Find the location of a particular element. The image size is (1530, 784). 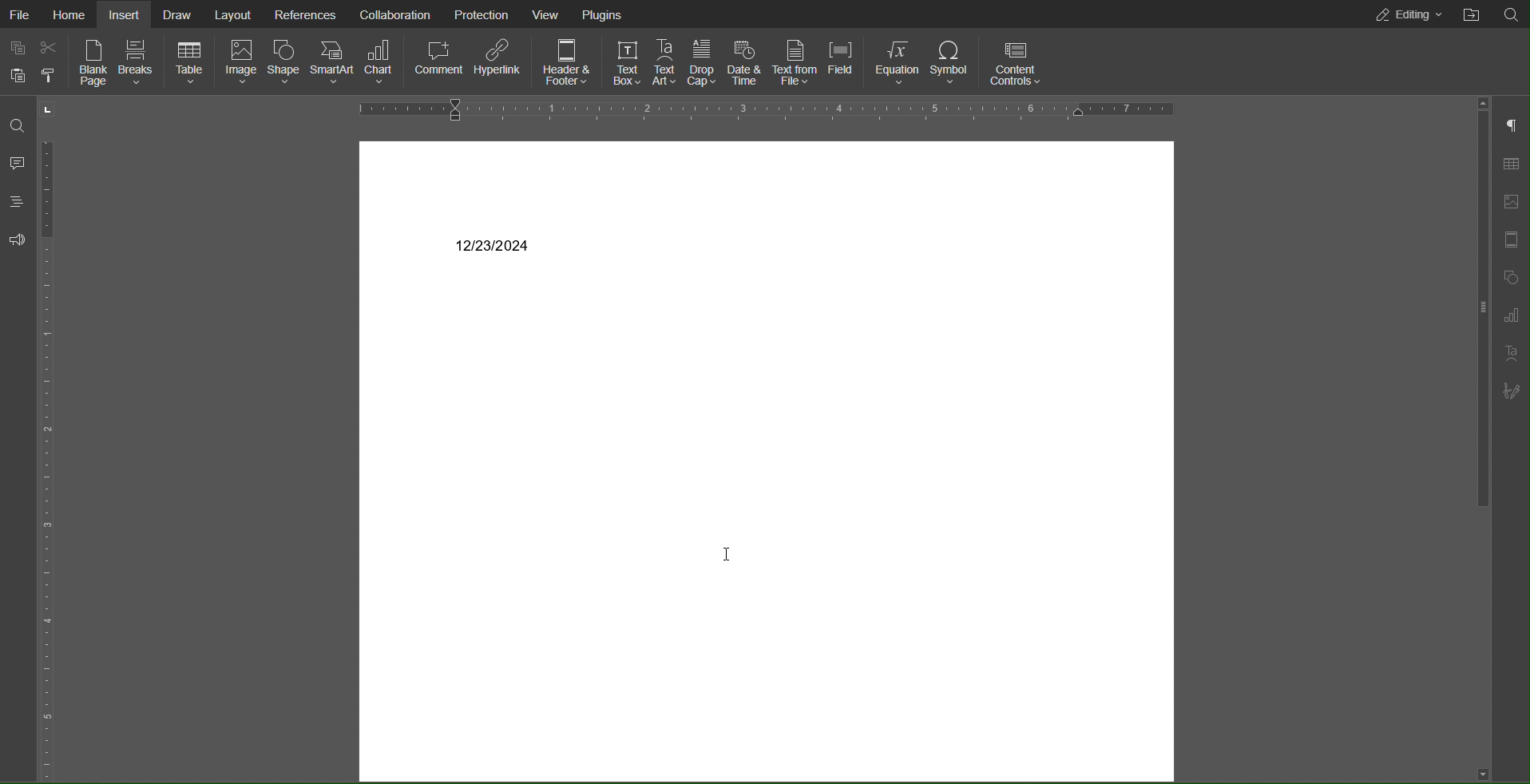

Copy is located at coordinates (18, 49).